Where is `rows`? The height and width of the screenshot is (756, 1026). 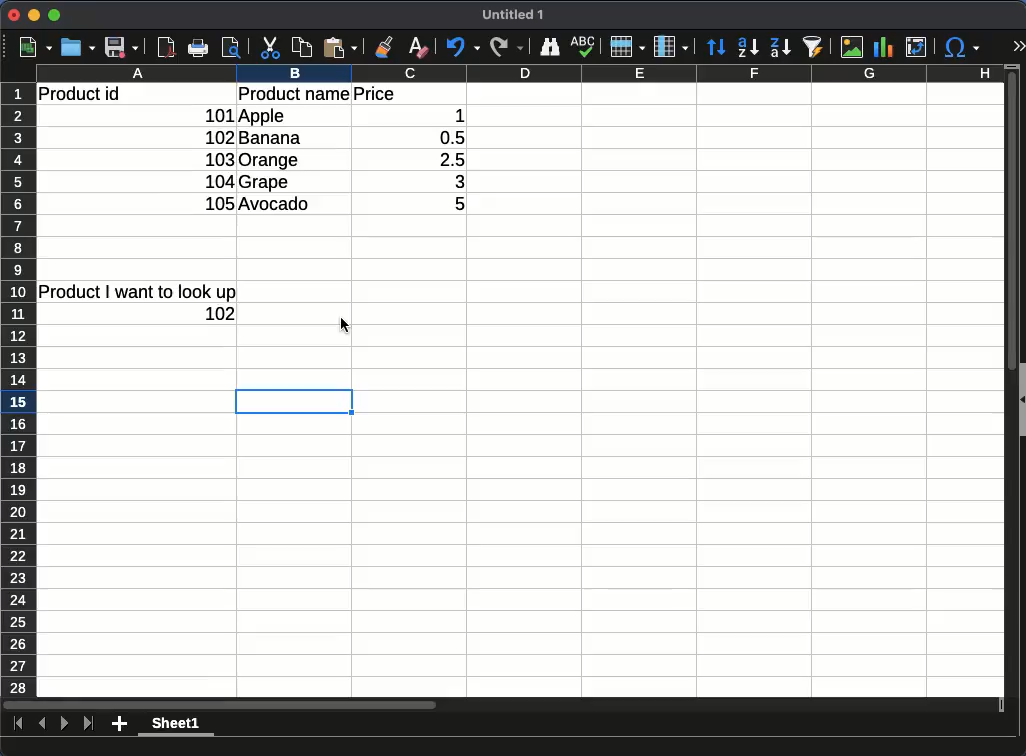 rows is located at coordinates (628, 46).